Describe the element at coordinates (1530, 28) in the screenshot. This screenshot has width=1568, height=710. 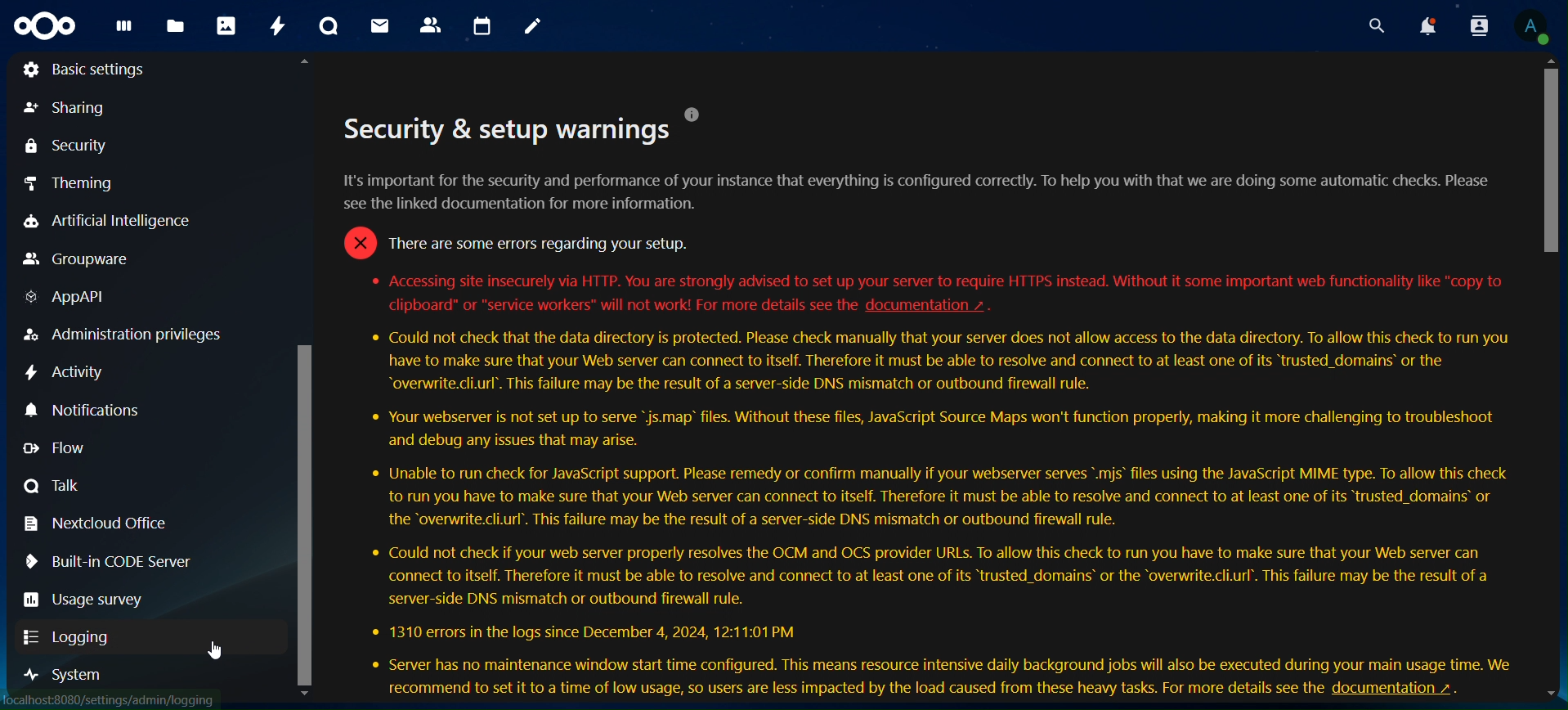
I see `view profile` at that location.